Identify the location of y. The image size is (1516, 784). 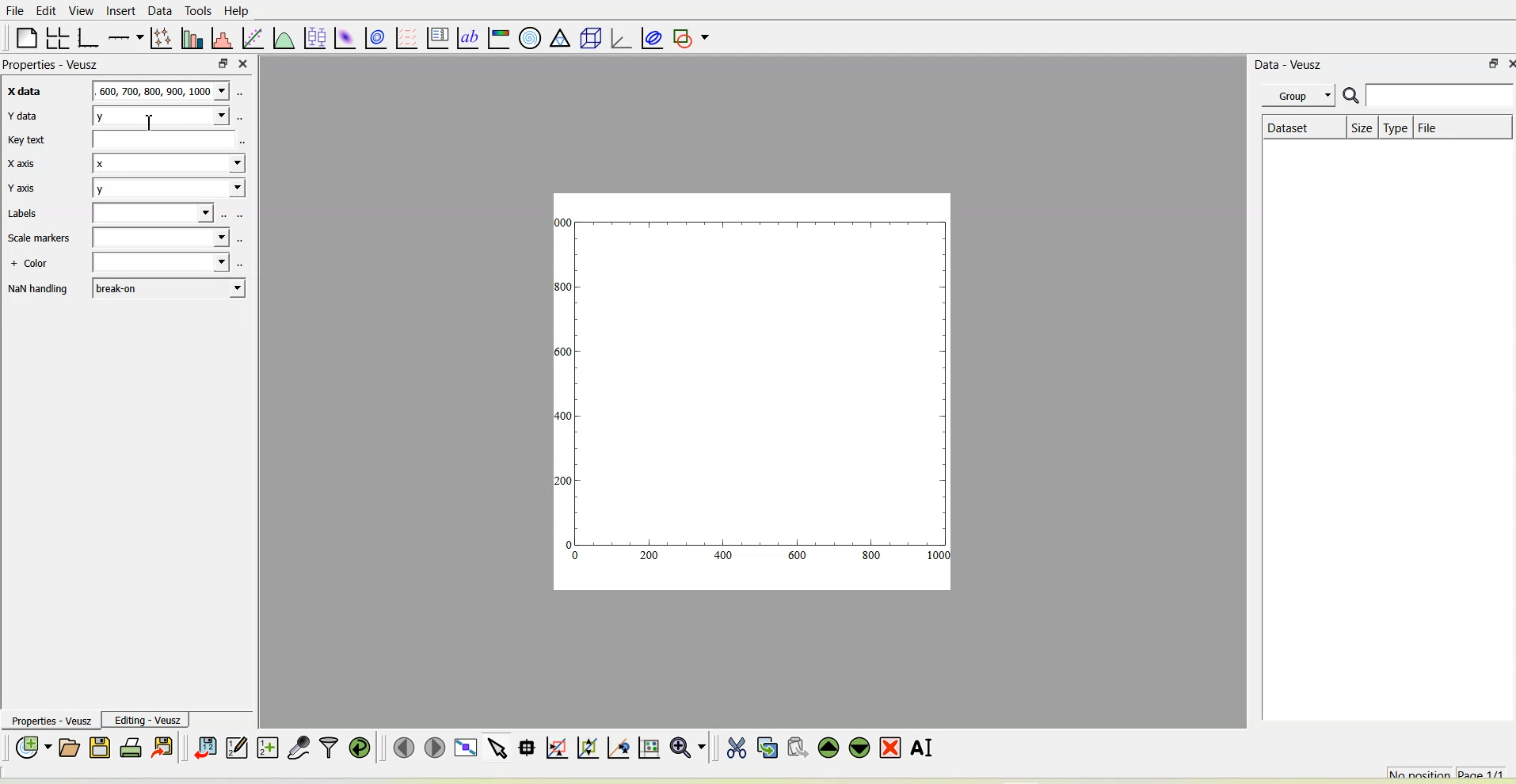
(169, 188).